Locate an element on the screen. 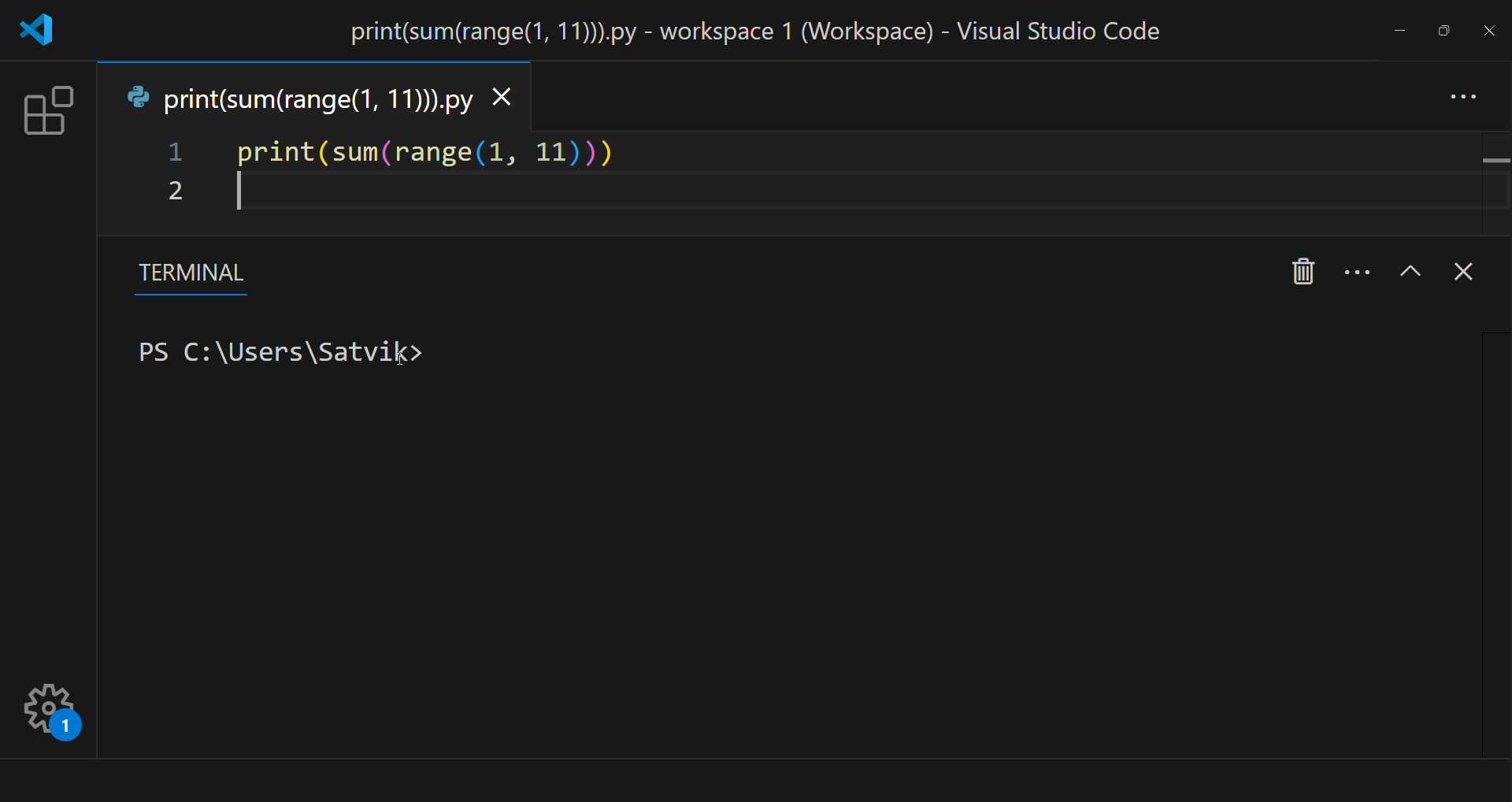 The height and width of the screenshot is (802, 1512). close tab is located at coordinates (505, 94).